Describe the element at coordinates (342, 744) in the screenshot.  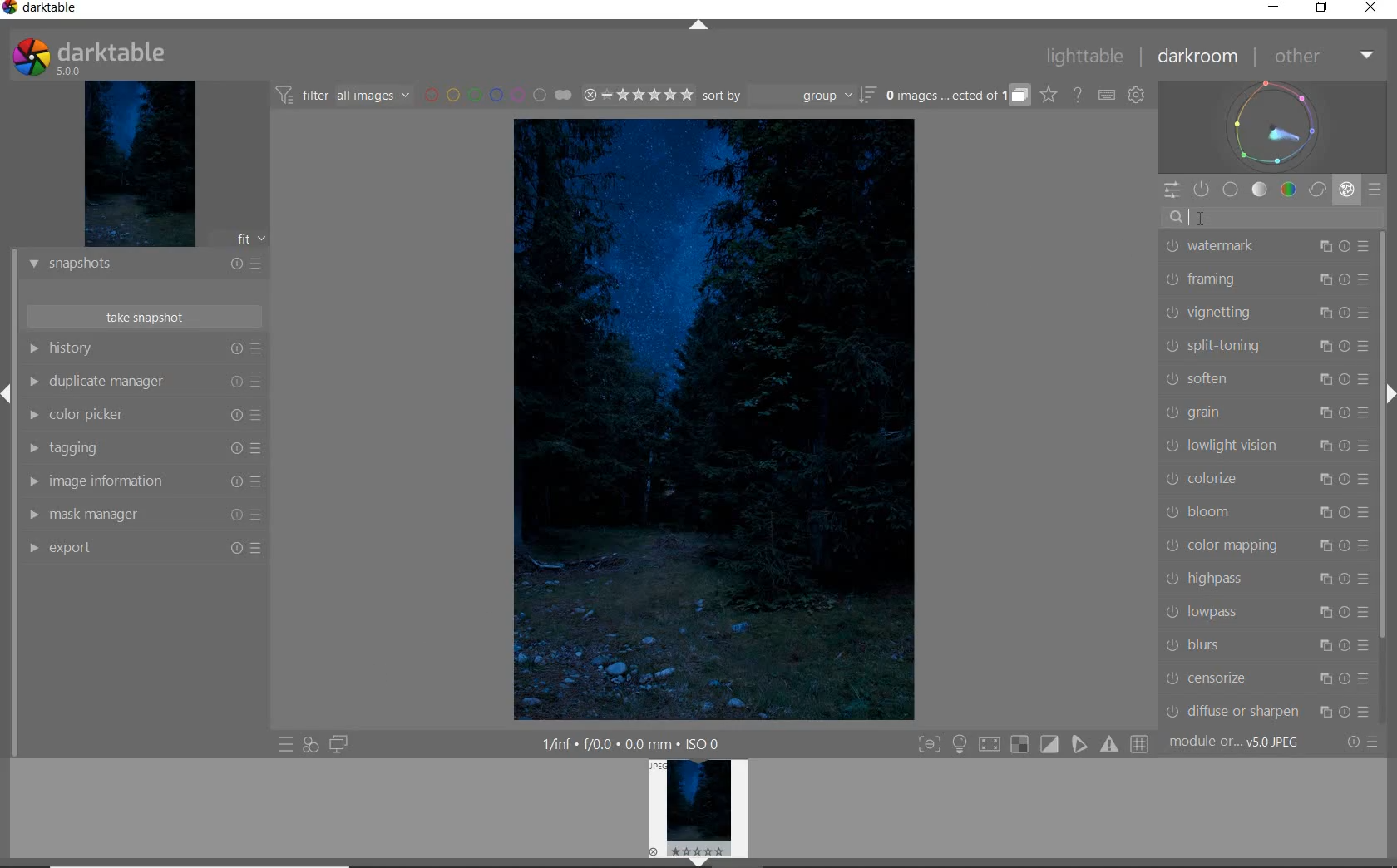
I see `DISPLAY A SECOND DARKROOM IMAGE WINDOW` at that location.